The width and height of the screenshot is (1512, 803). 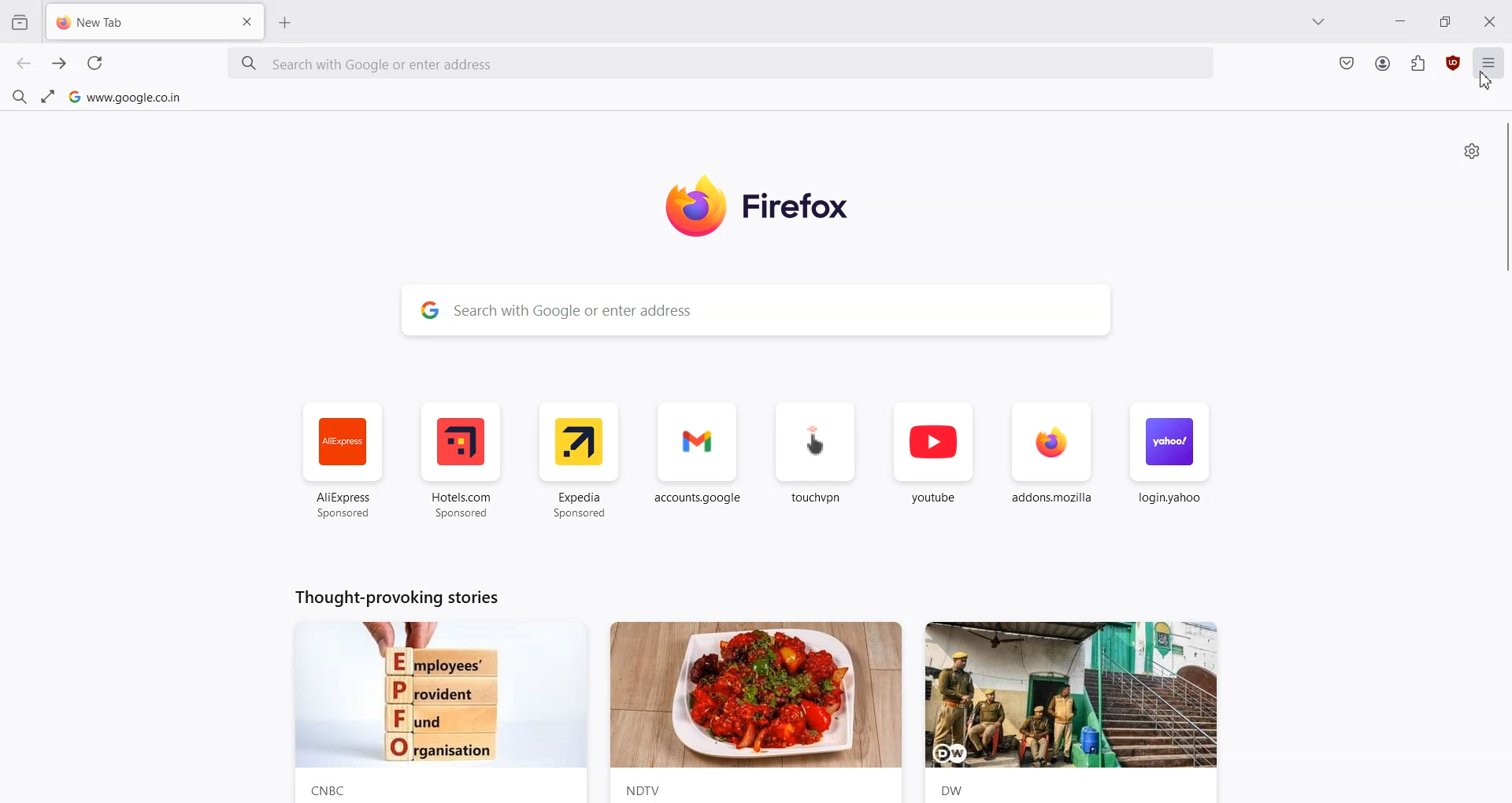 I want to click on News, so click(x=1079, y=712).